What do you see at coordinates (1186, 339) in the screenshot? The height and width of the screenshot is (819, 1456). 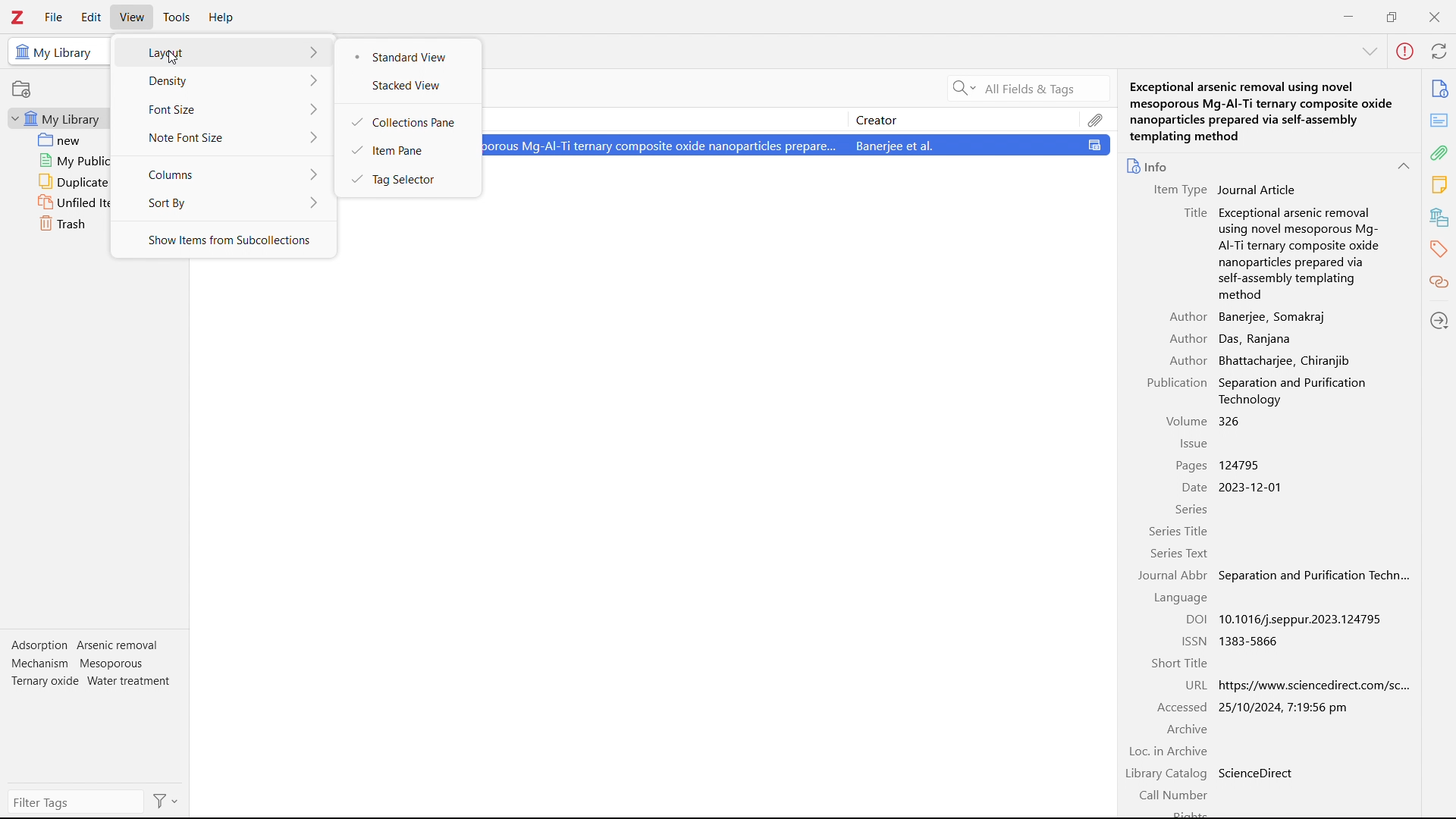 I see `Author` at bounding box center [1186, 339].